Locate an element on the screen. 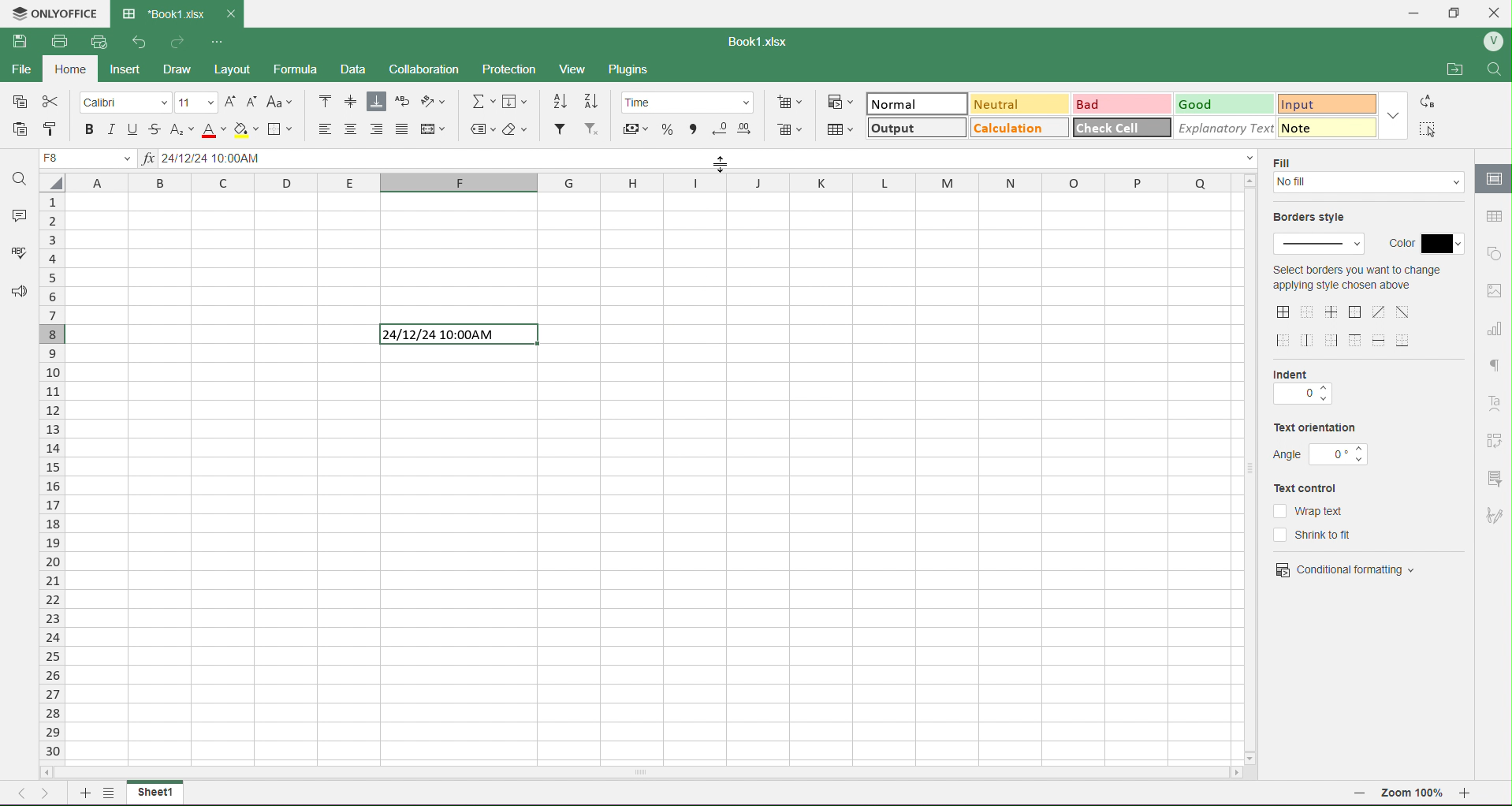  Fill is located at coordinates (520, 102).